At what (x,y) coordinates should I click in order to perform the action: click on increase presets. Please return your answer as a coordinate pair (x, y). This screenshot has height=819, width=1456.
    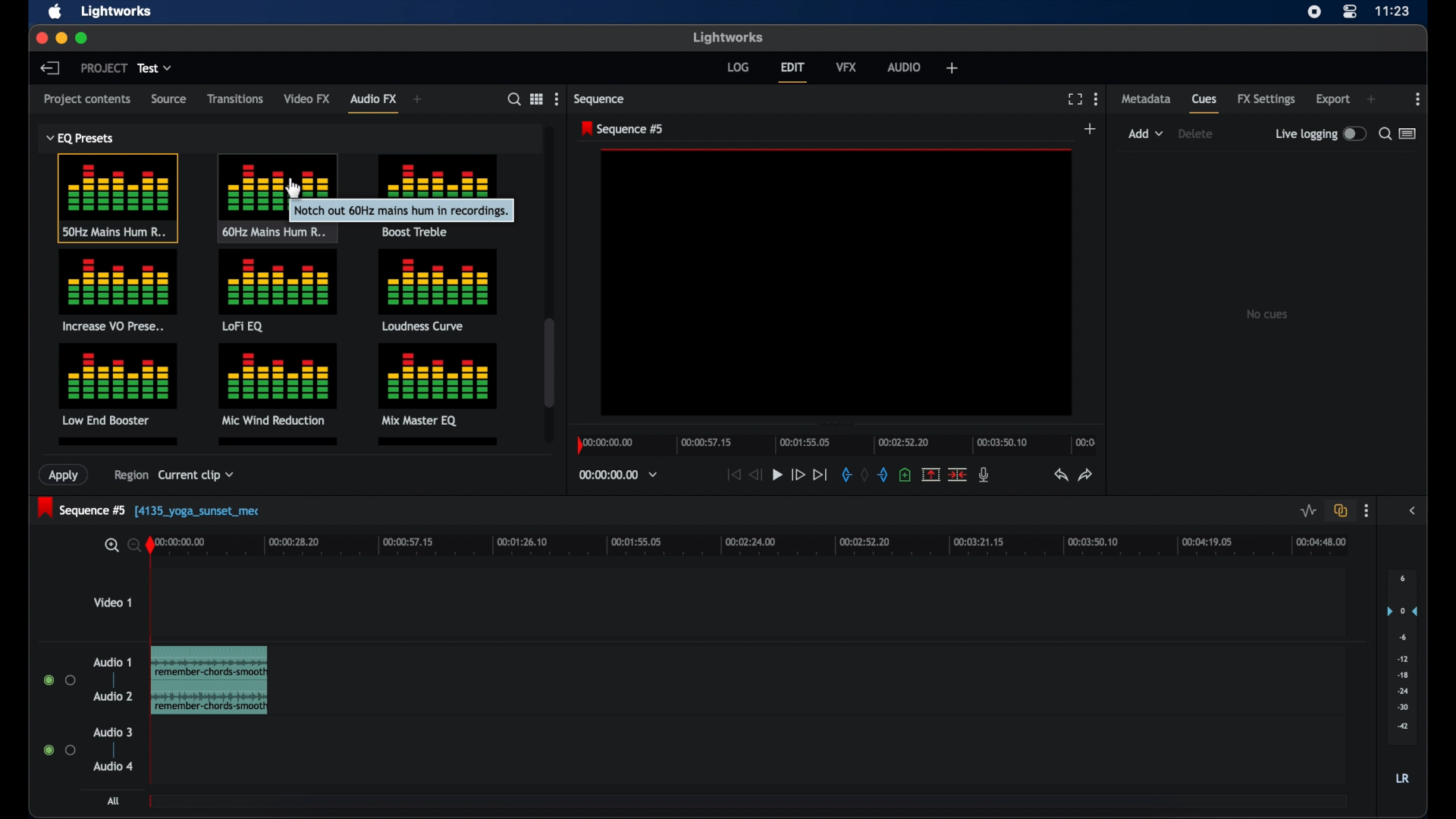
    Looking at the image, I should click on (119, 291).